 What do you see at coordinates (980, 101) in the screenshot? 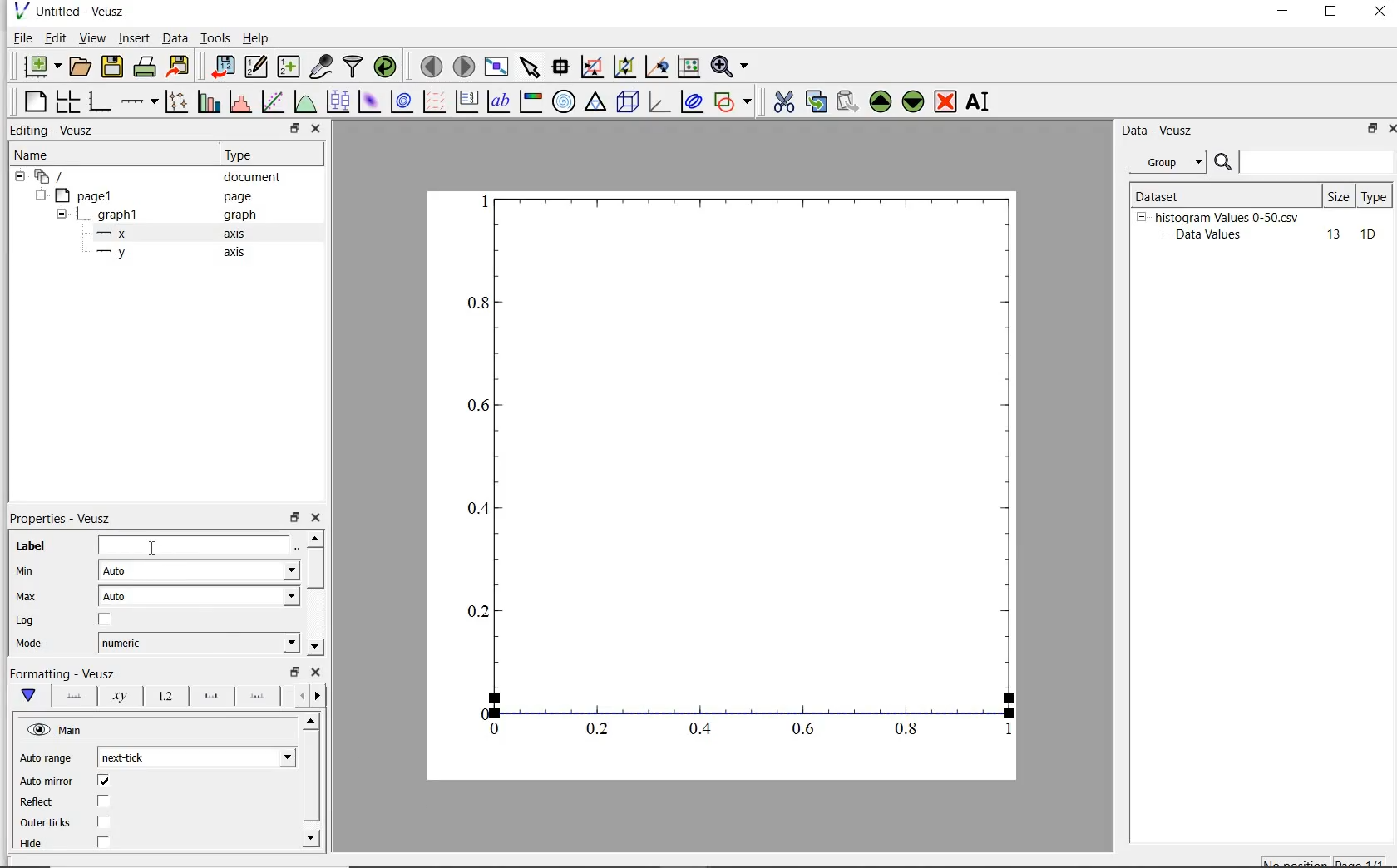
I see `rename the selected widget` at bounding box center [980, 101].